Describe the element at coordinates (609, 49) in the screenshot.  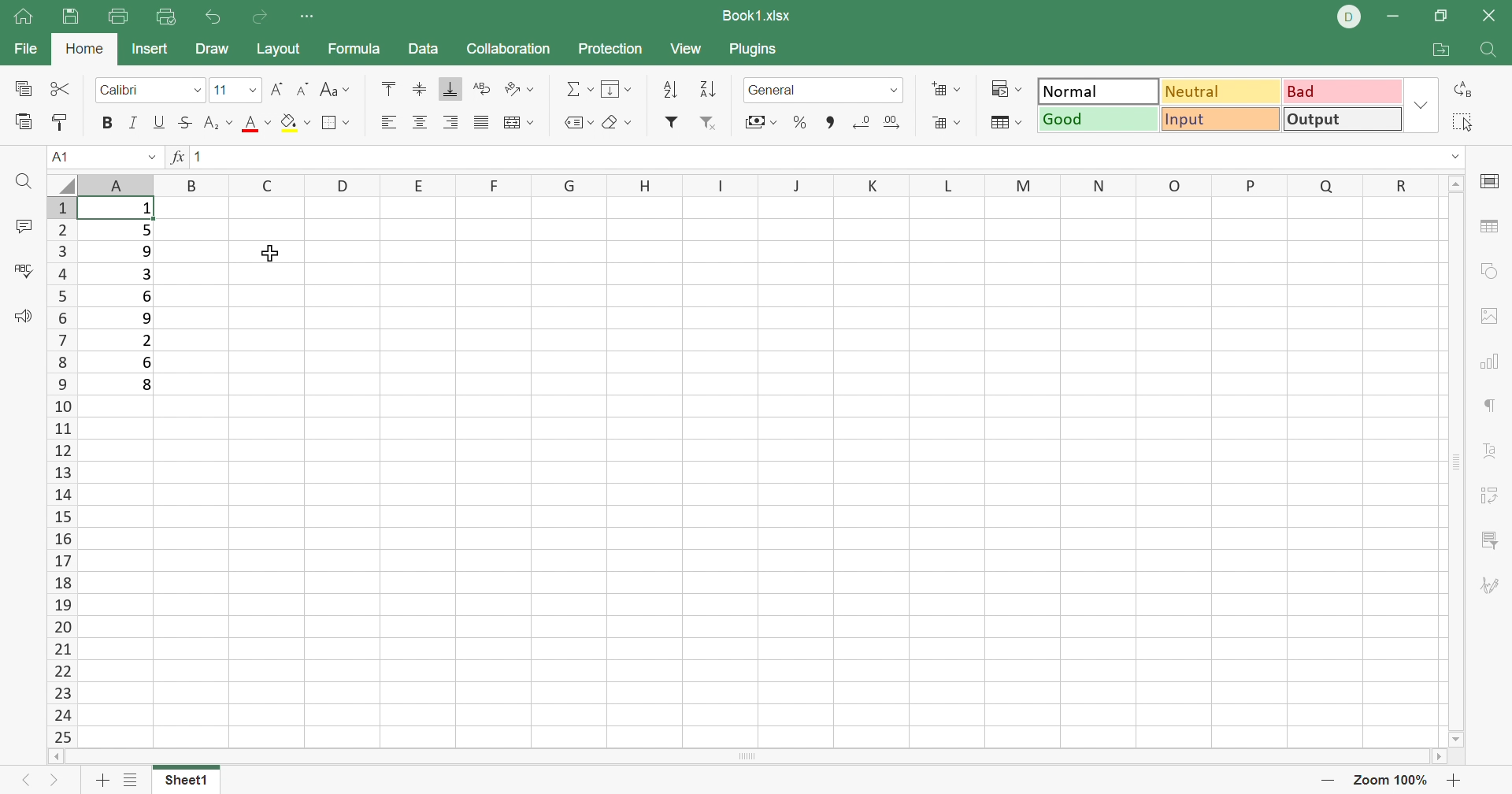
I see `Protection` at that location.